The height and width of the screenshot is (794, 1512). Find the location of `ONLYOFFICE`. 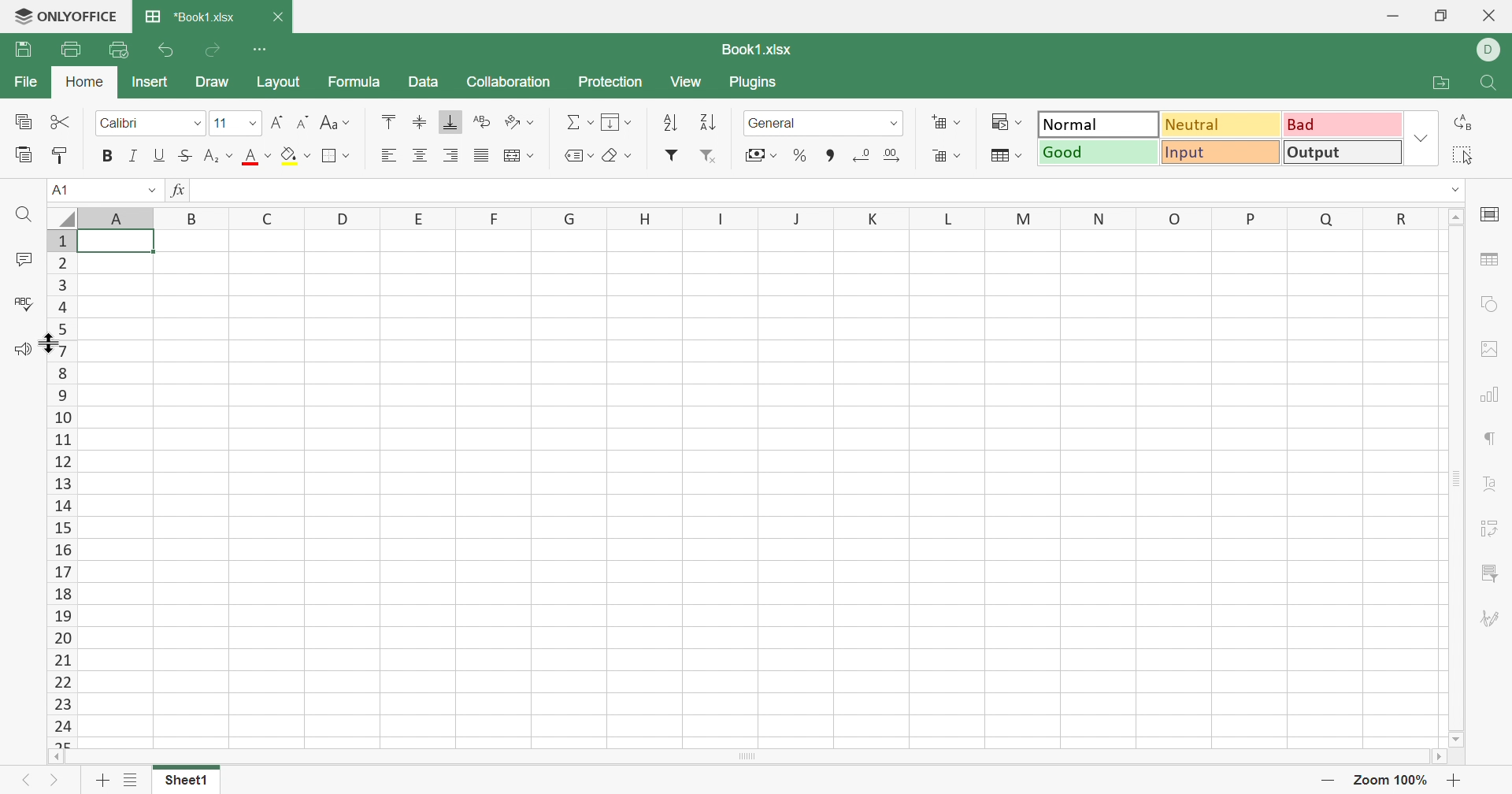

ONLYOFFICE is located at coordinates (63, 17).